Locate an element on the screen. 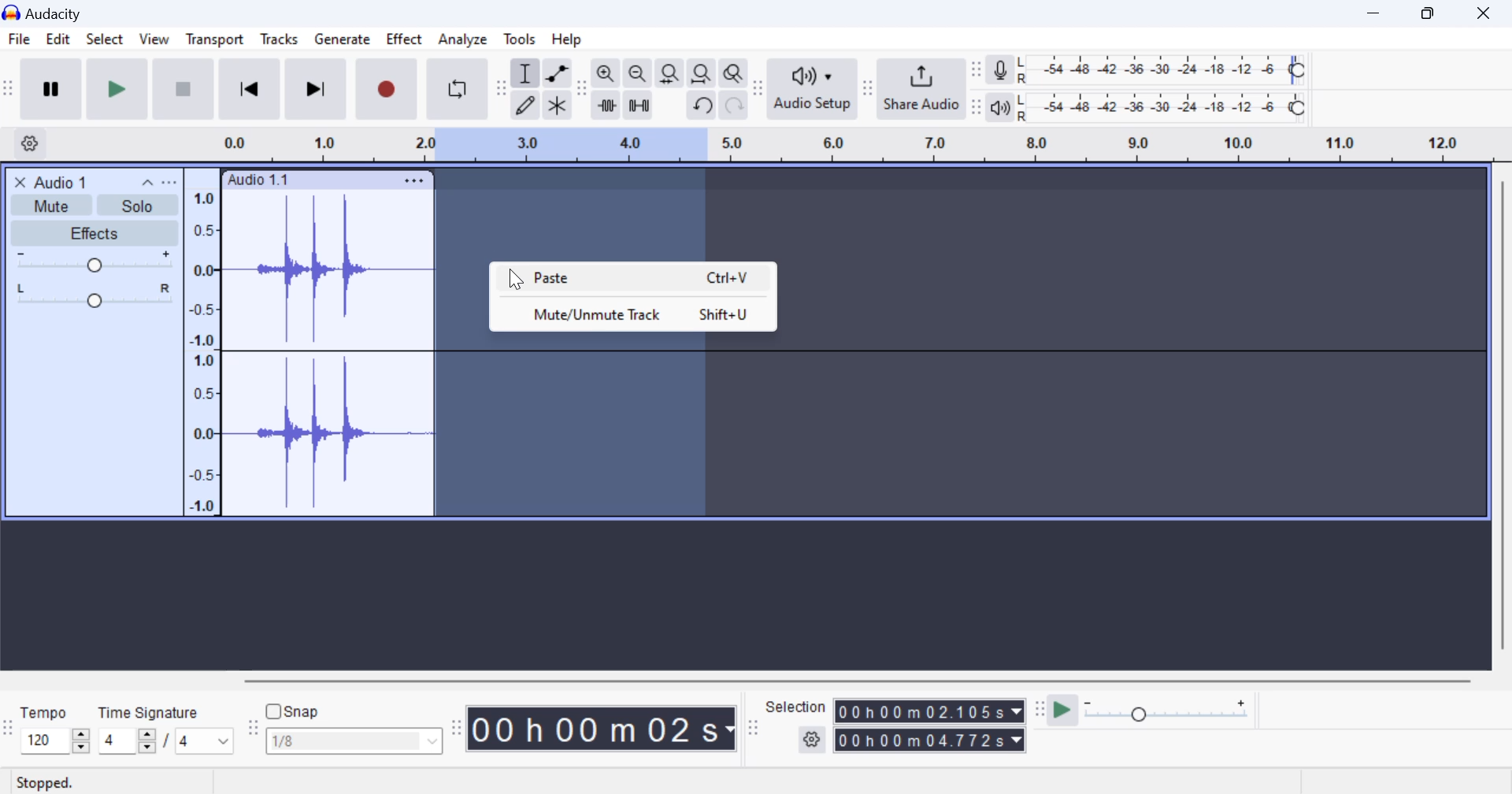  Skip To End is located at coordinates (313, 92).